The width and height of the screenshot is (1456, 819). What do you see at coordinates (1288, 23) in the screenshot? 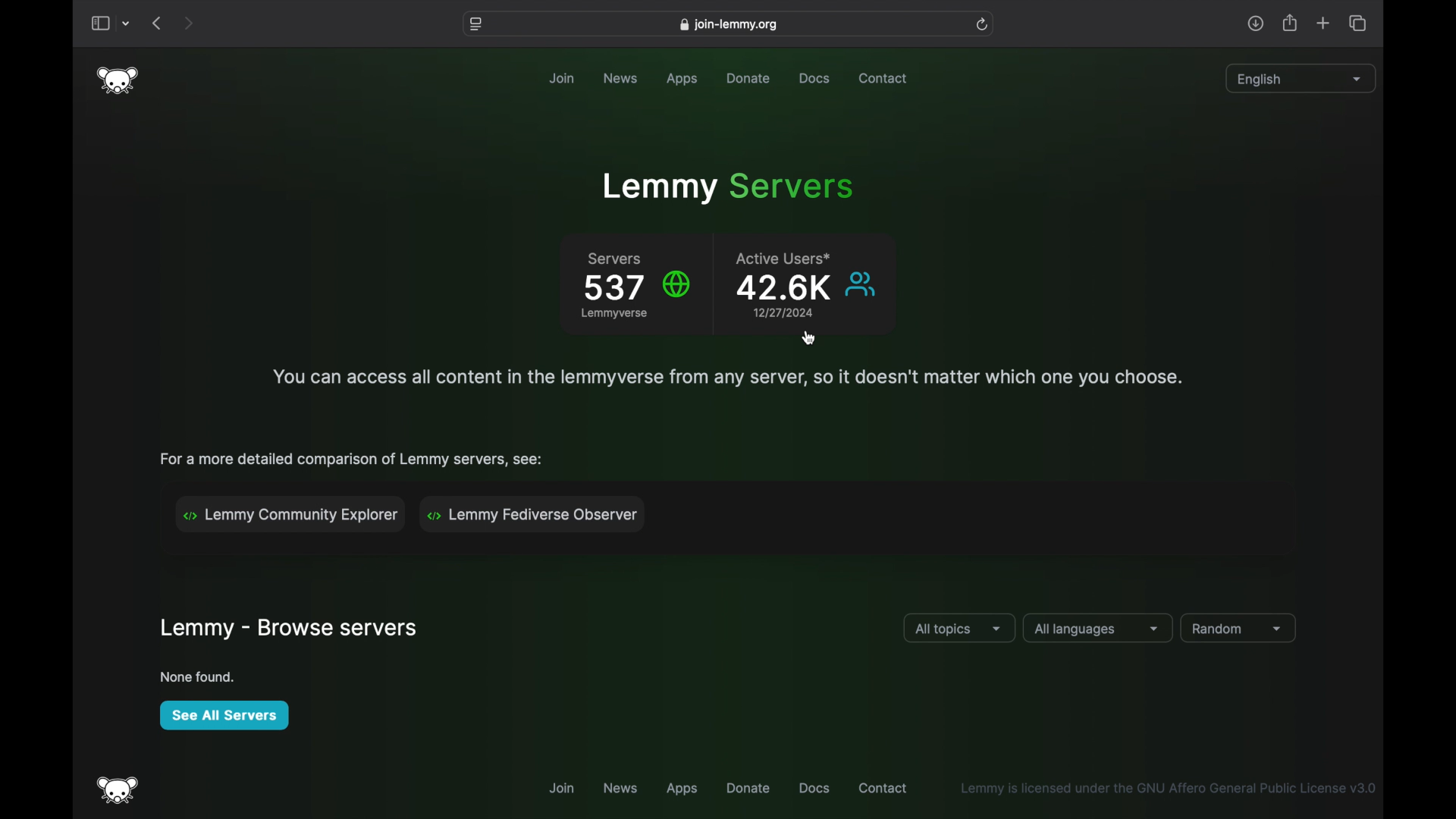
I see `share` at bounding box center [1288, 23].